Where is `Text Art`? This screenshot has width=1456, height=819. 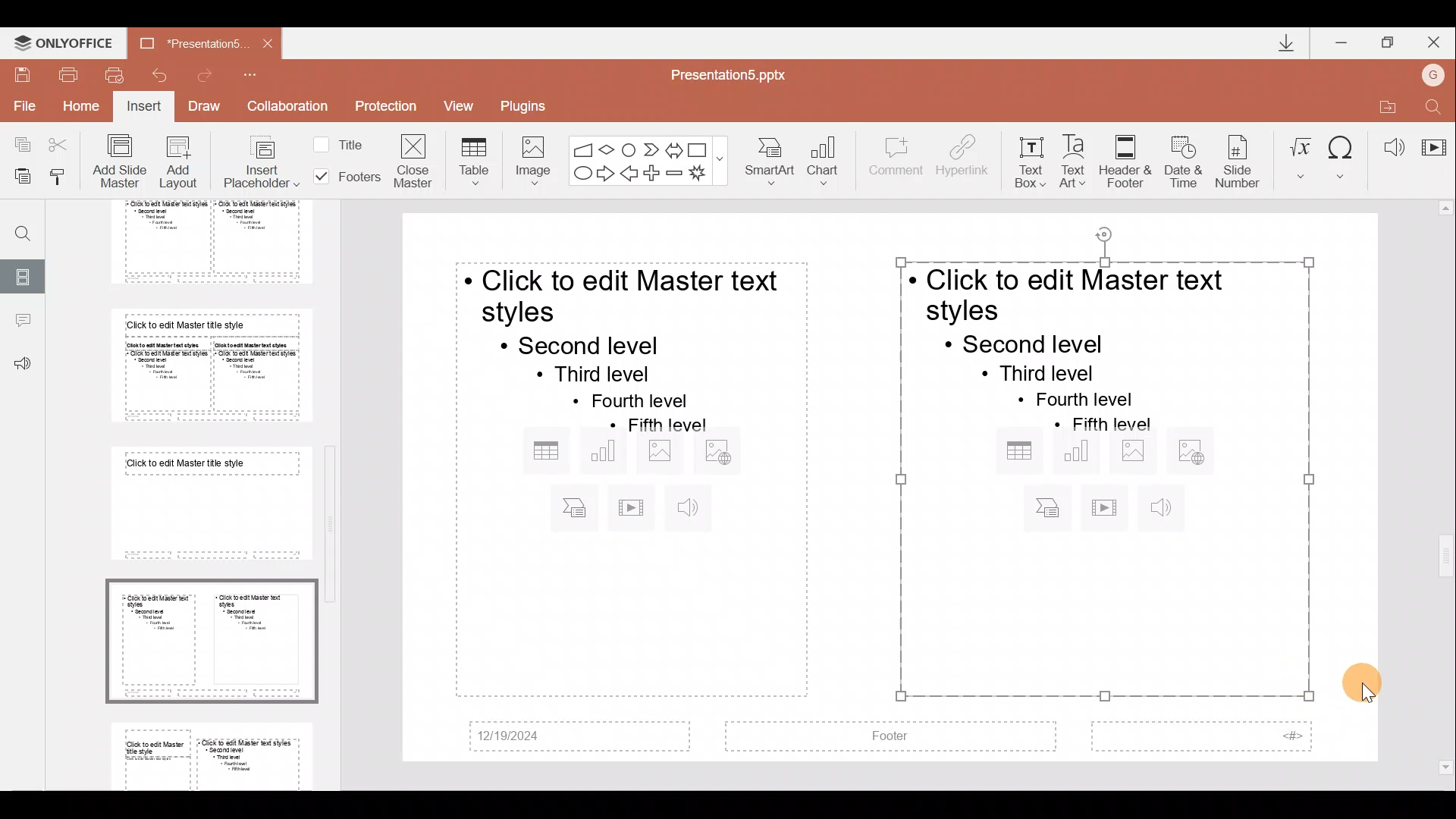 Text Art is located at coordinates (1077, 157).